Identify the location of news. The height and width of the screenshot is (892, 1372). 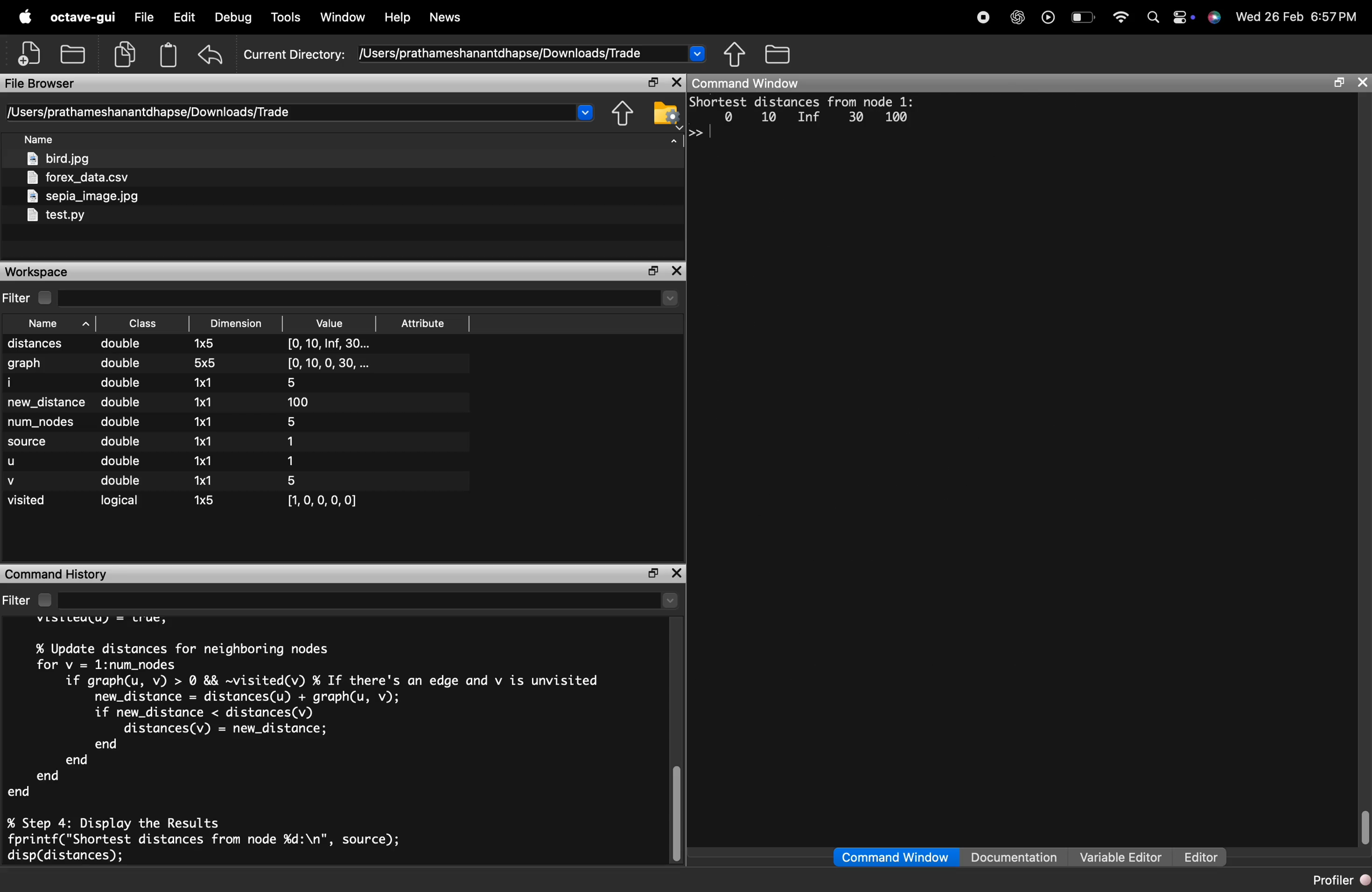
(447, 18).